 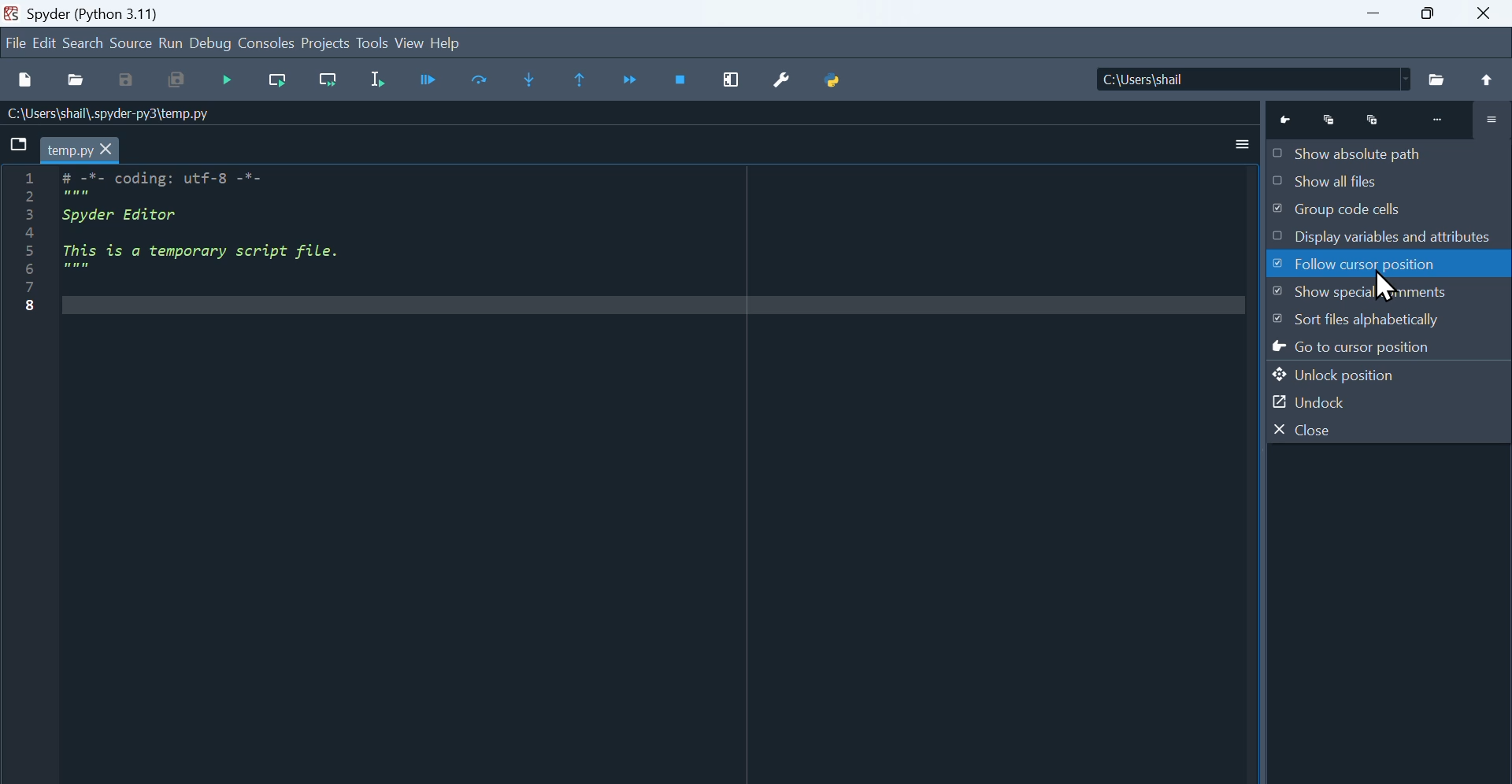 I want to click on Continue execution until next function, so click(x=633, y=80).